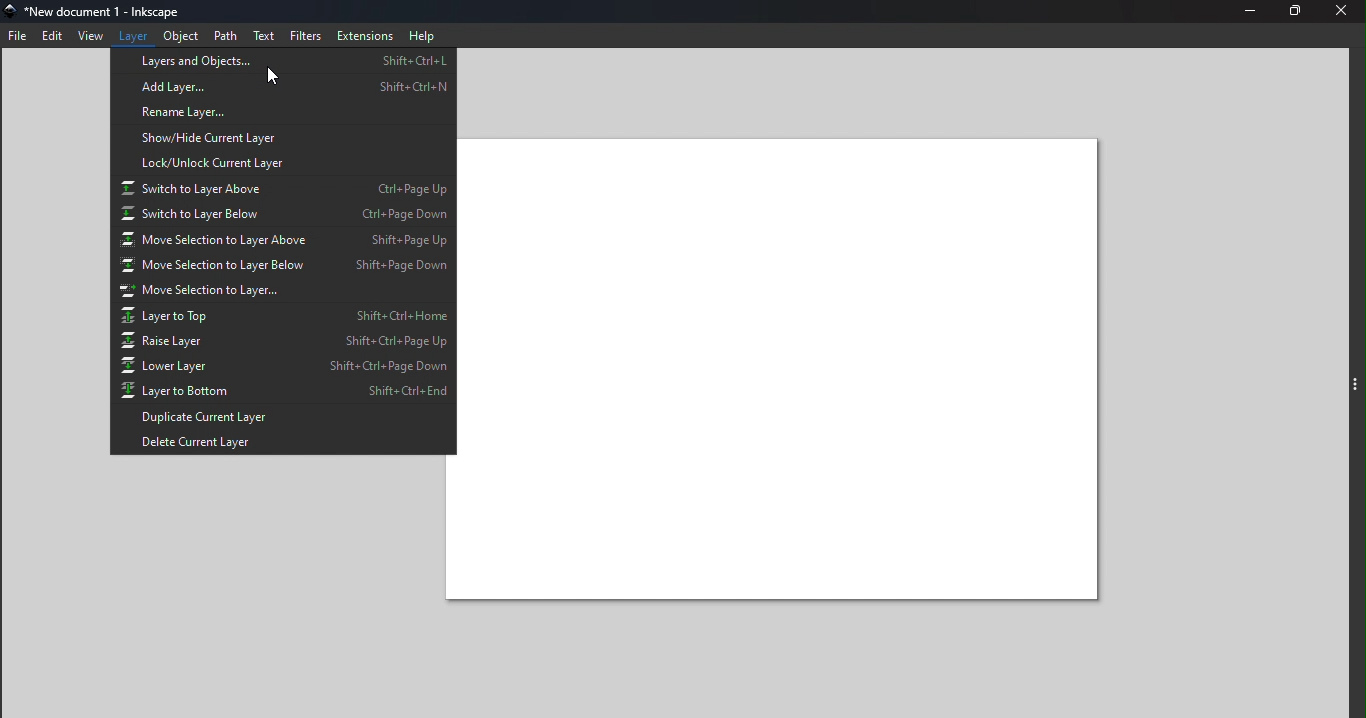 The image size is (1366, 718). Describe the element at coordinates (285, 341) in the screenshot. I see `Raise layer` at that location.